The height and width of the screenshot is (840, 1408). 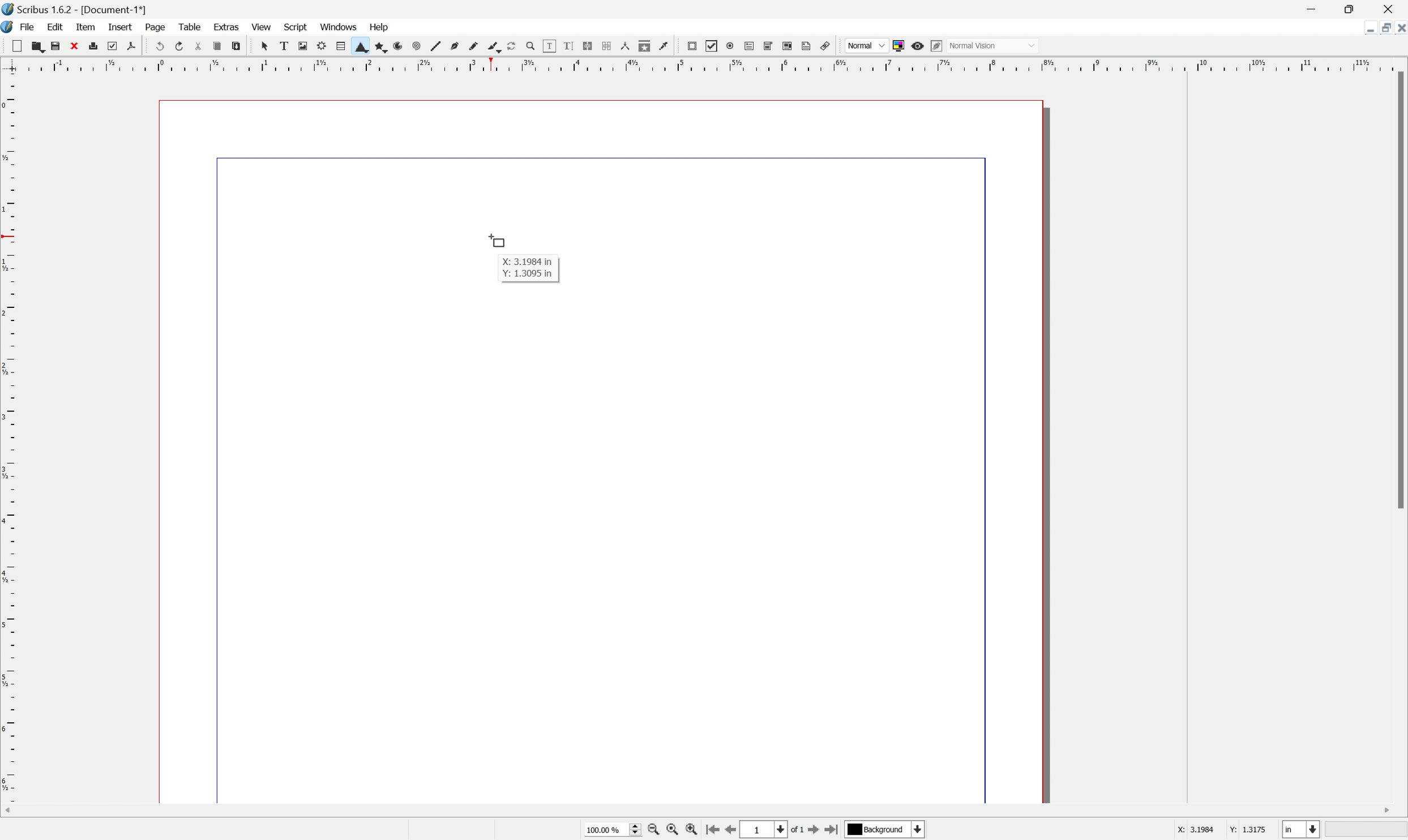 I want to click on Help, so click(x=379, y=28).